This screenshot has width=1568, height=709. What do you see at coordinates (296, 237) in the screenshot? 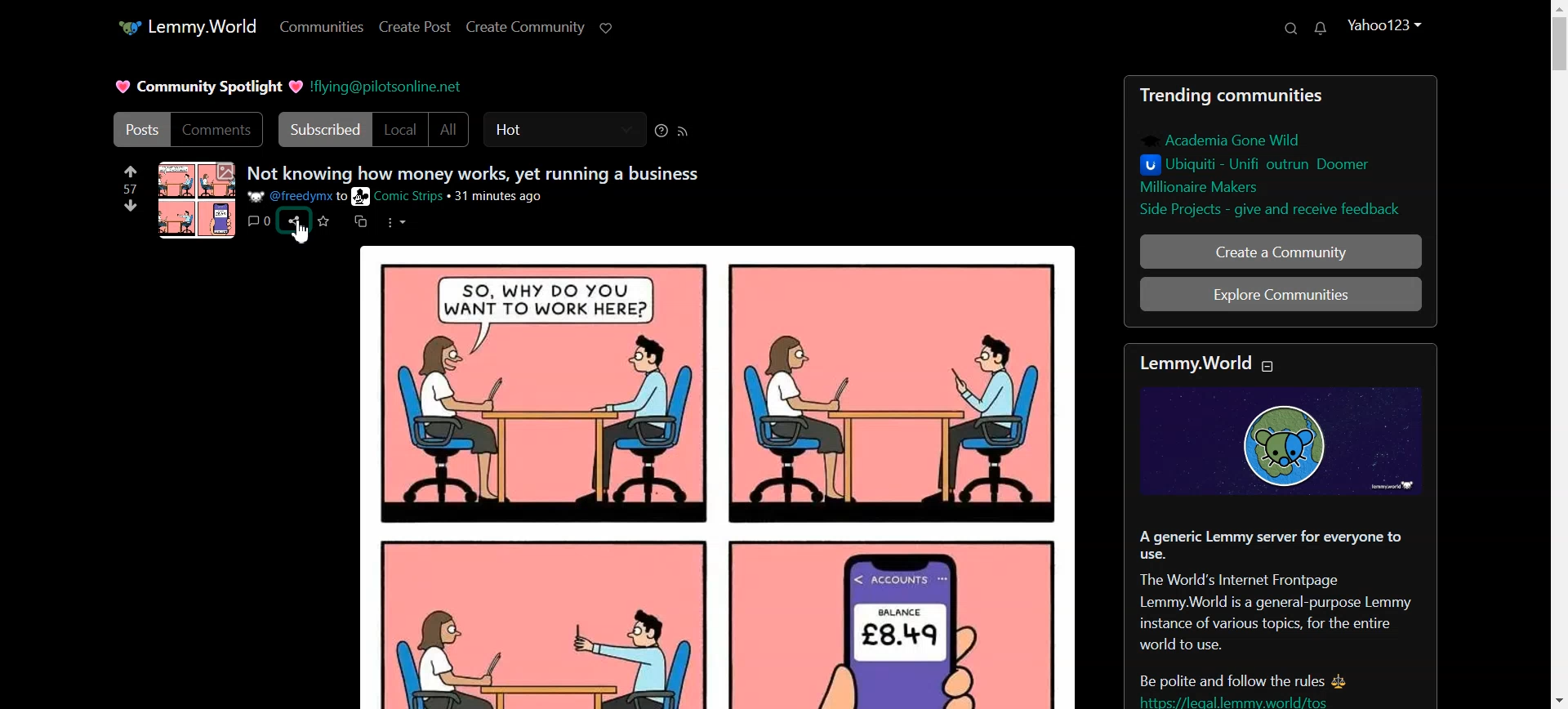
I see `cursor on button` at bounding box center [296, 237].